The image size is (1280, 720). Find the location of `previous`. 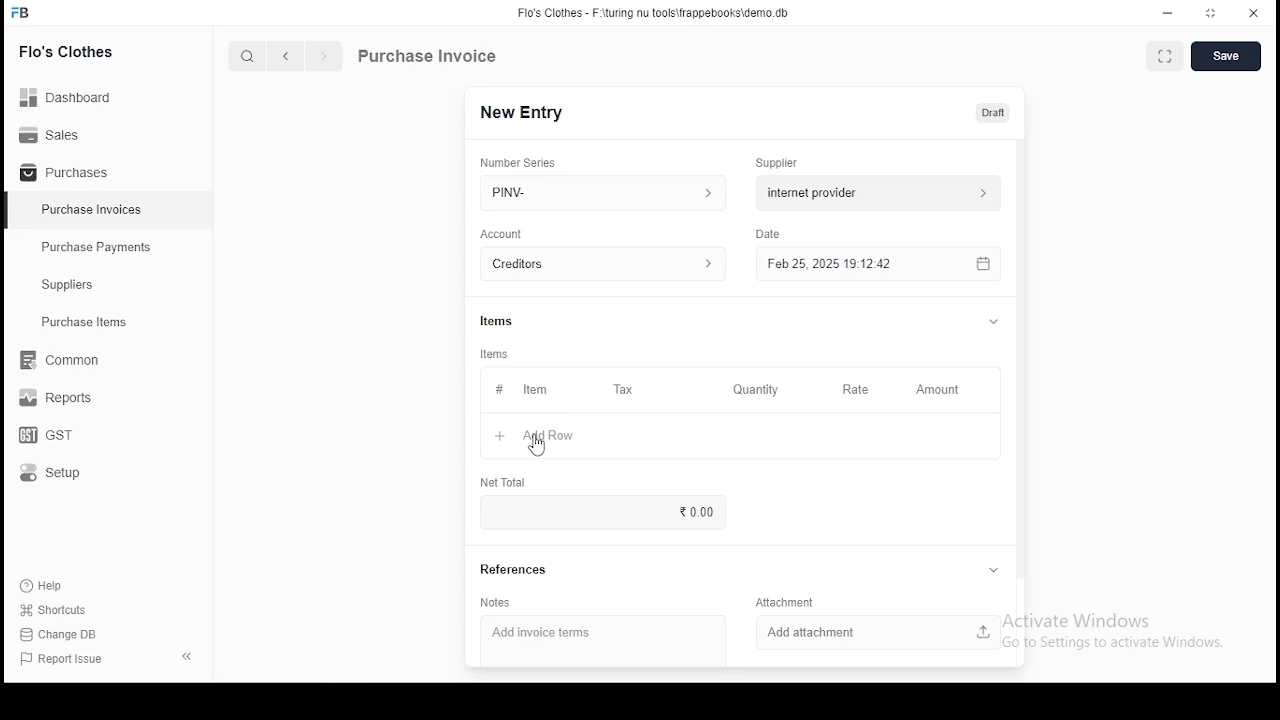

previous is located at coordinates (287, 57).